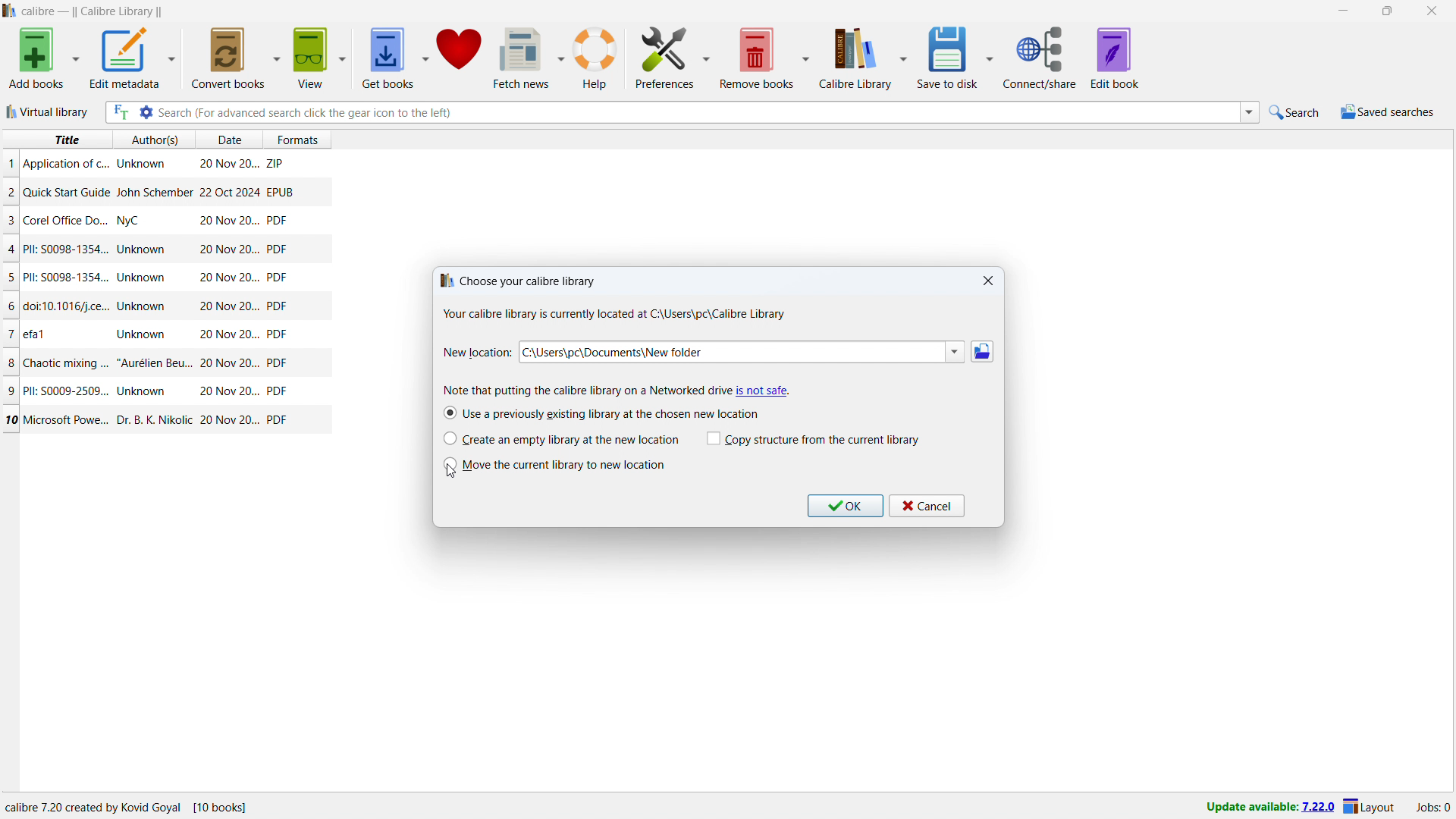  I want to click on connect/share, so click(1040, 58).